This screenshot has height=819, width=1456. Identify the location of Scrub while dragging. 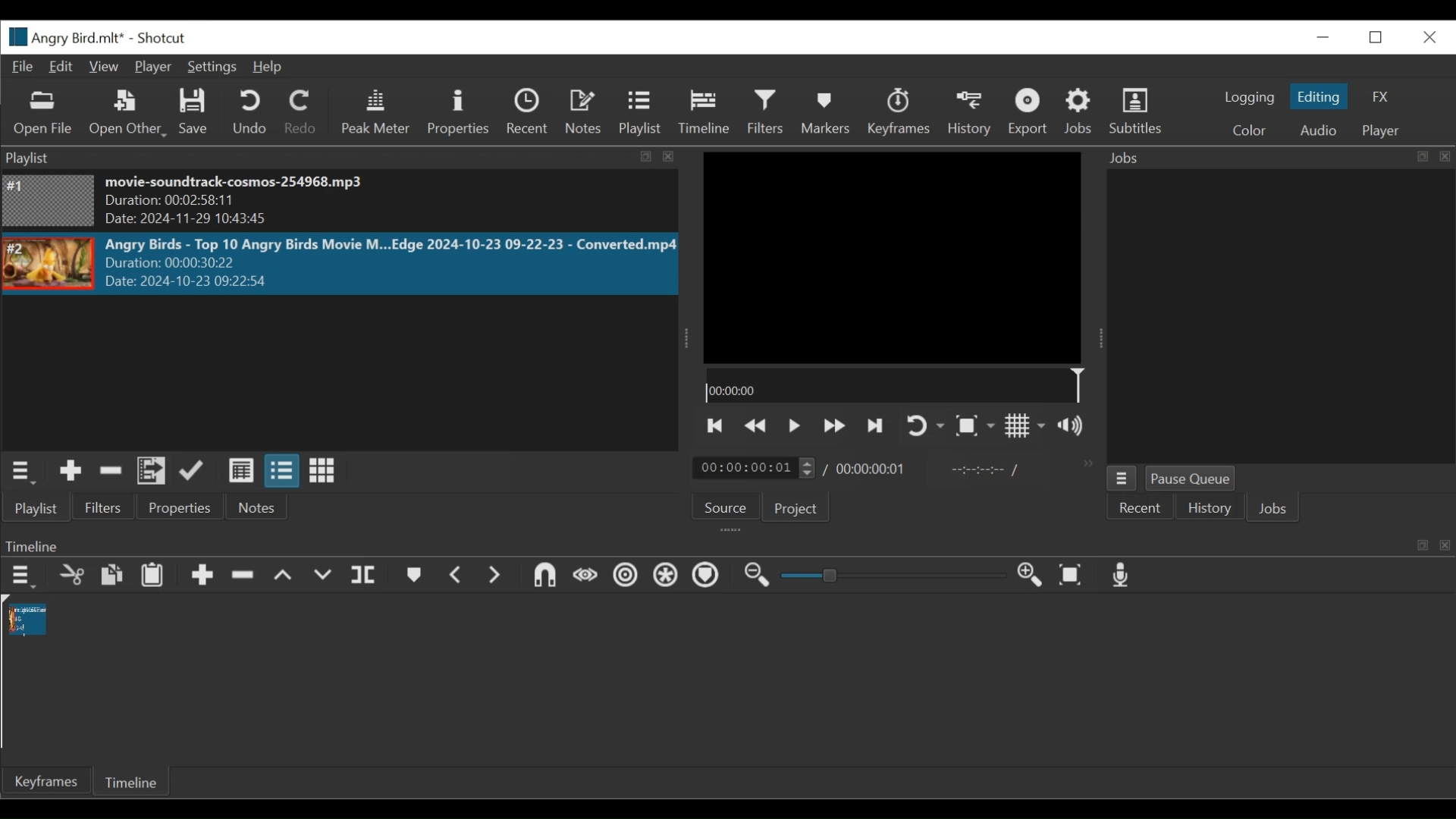
(583, 576).